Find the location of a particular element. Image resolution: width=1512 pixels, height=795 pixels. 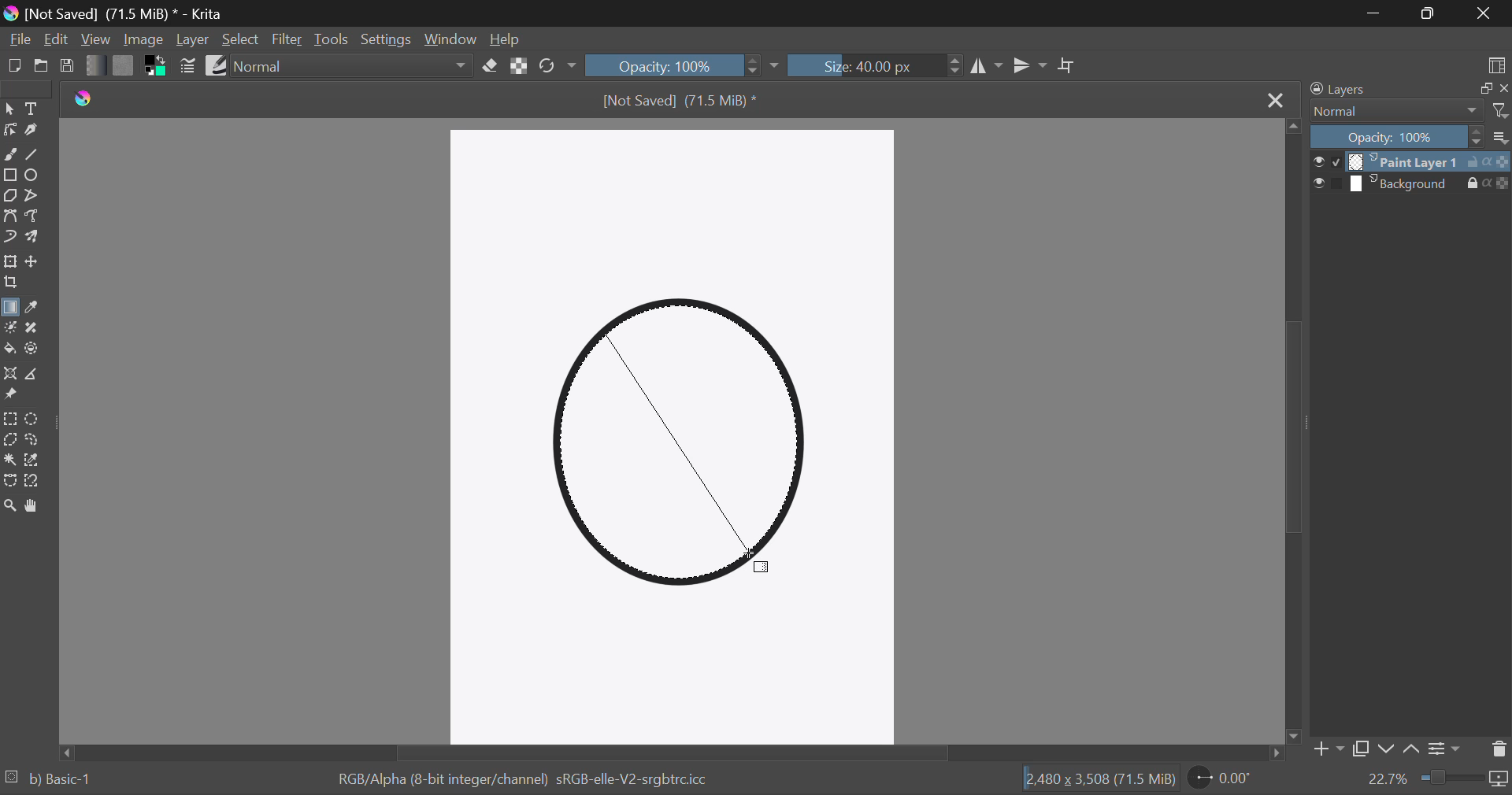

Bezier Curve Selection is located at coordinates (10, 483).